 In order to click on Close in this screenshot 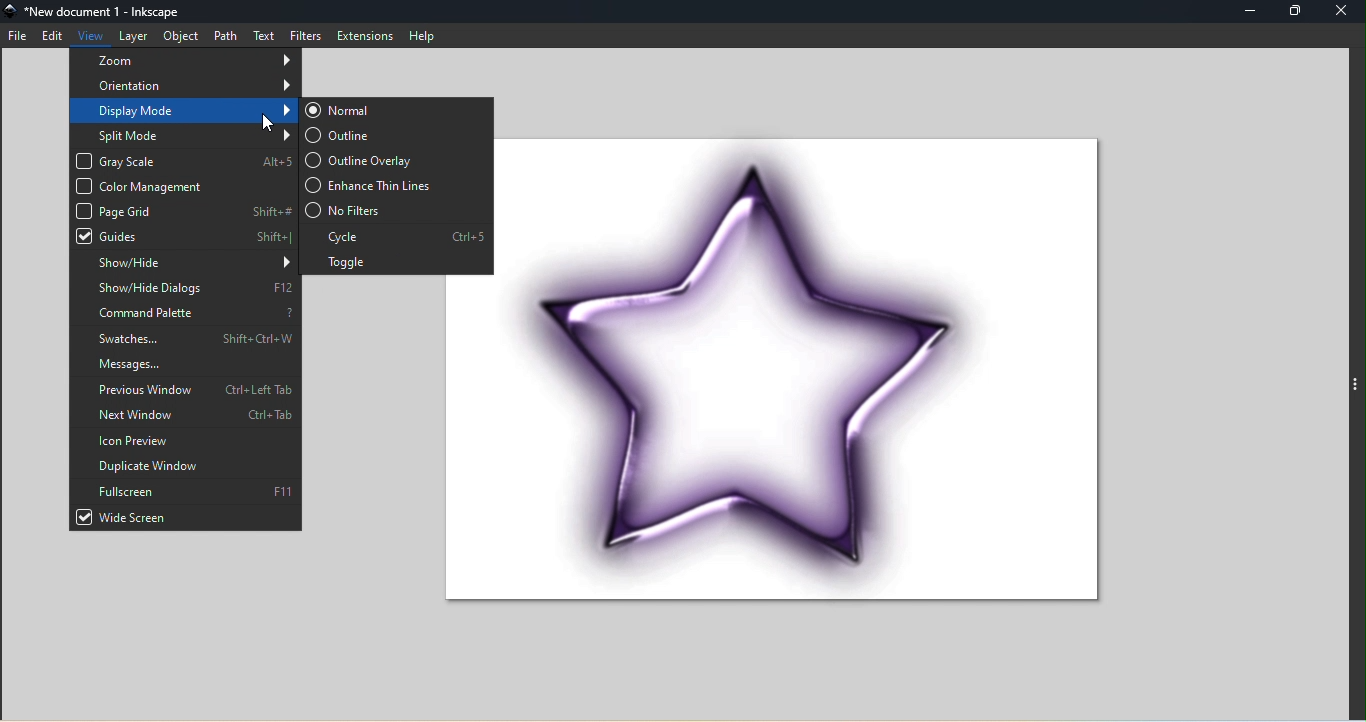, I will do `click(1345, 10)`.